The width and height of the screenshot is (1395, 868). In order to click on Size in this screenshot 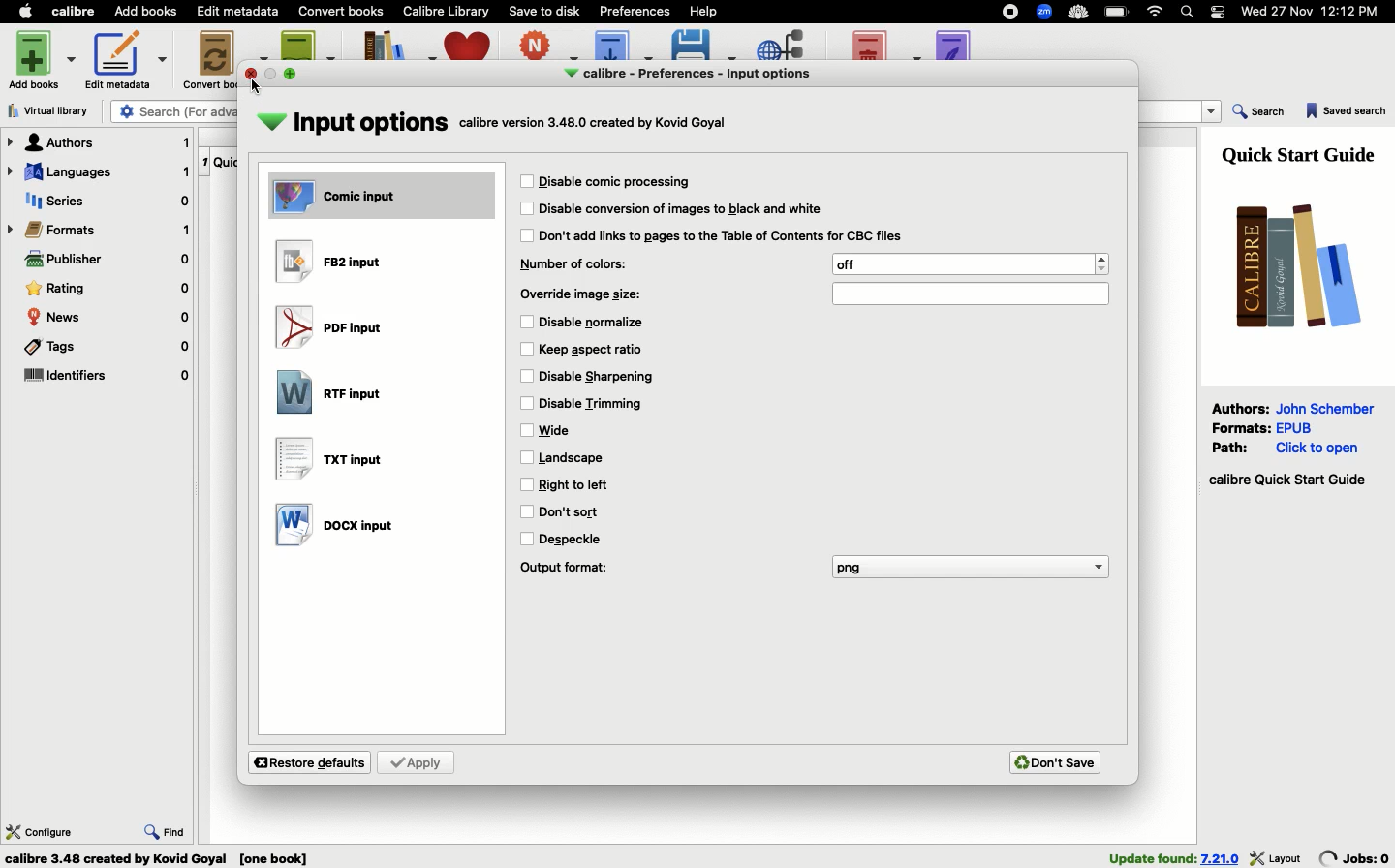, I will do `click(588, 294)`.